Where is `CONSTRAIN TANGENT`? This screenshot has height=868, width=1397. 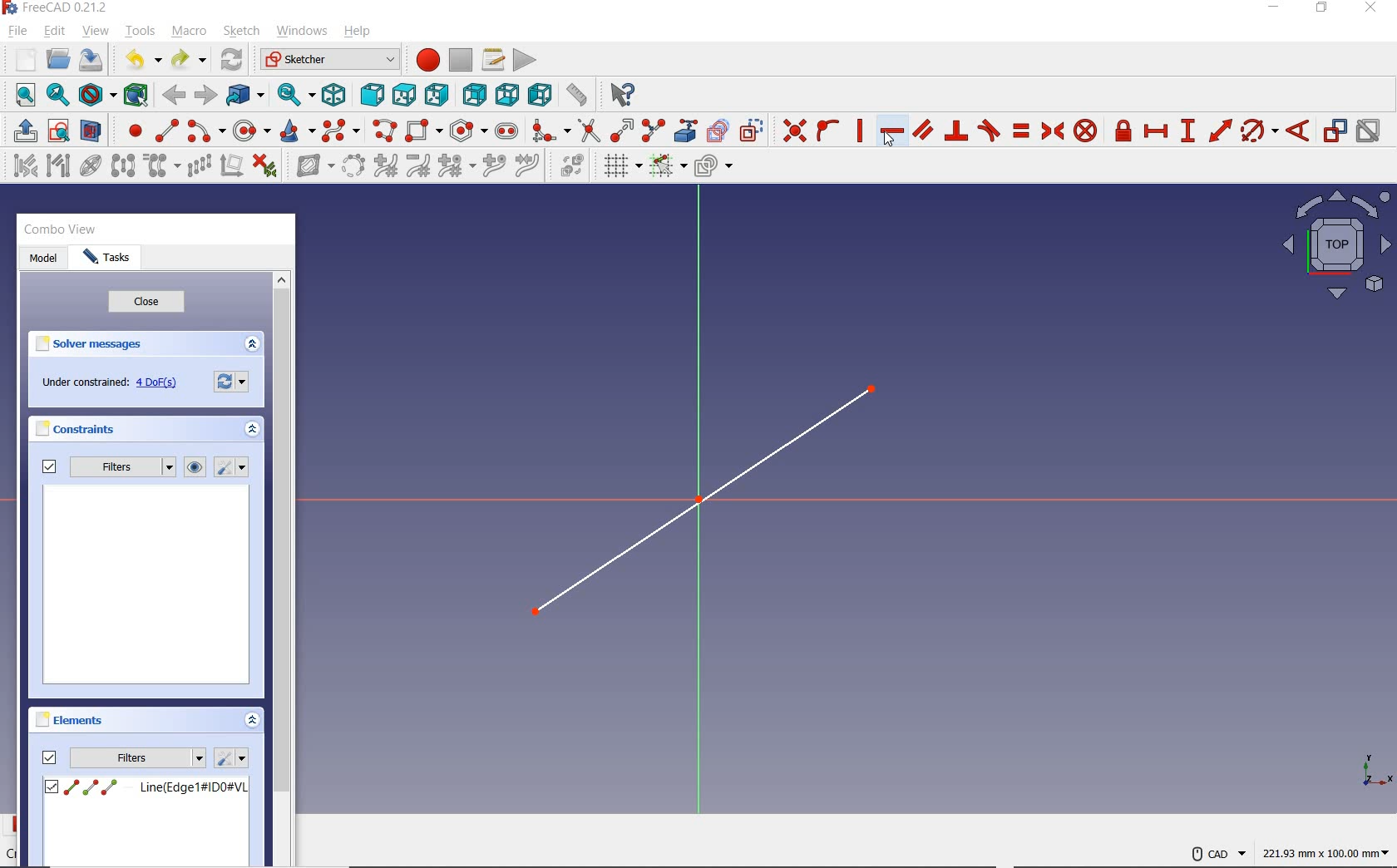
CONSTRAIN TANGENT is located at coordinates (989, 130).